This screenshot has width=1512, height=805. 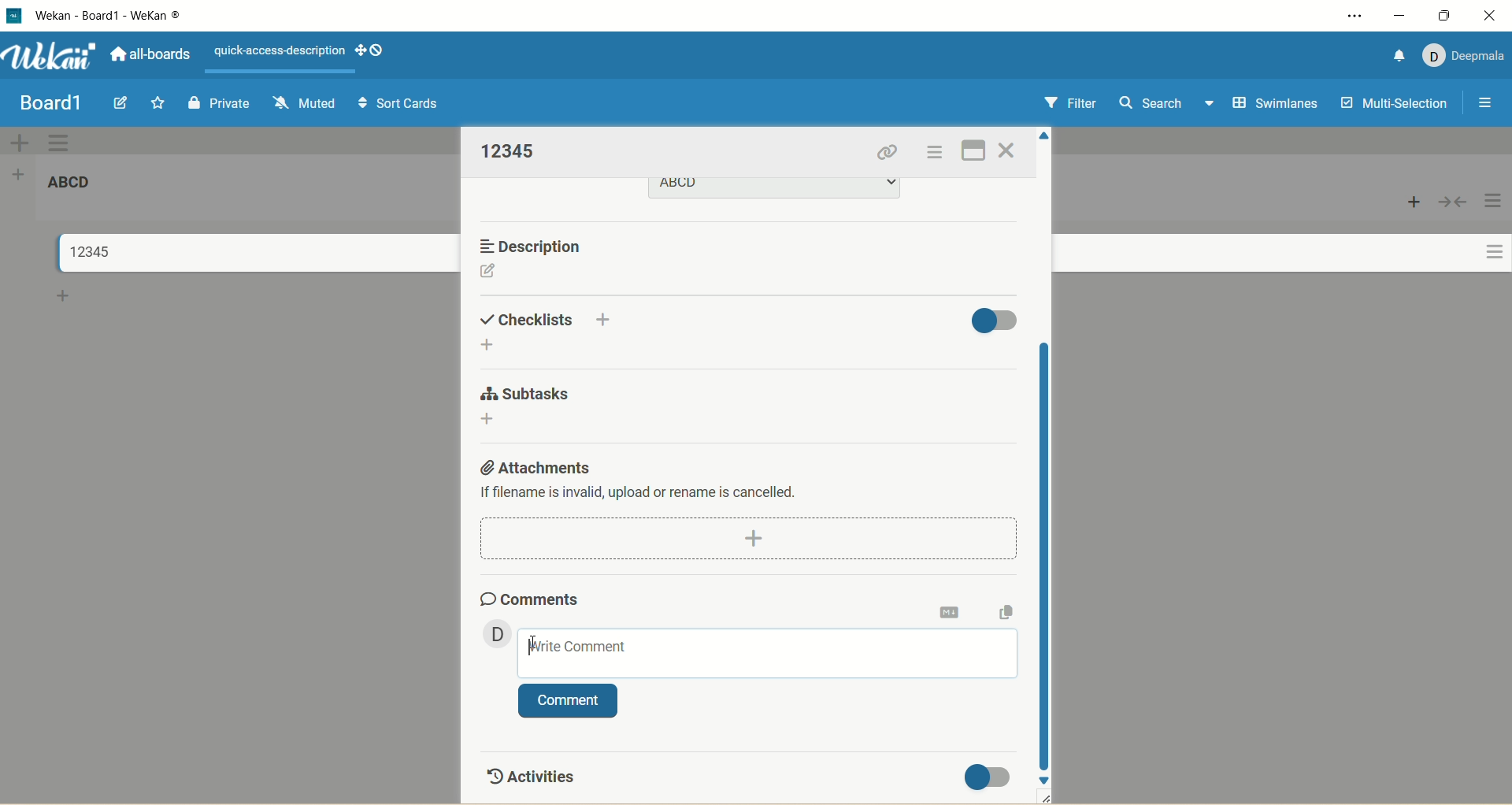 What do you see at coordinates (1007, 611) in the screenshot?
I see `copy` at bounding box center [1007, 611].